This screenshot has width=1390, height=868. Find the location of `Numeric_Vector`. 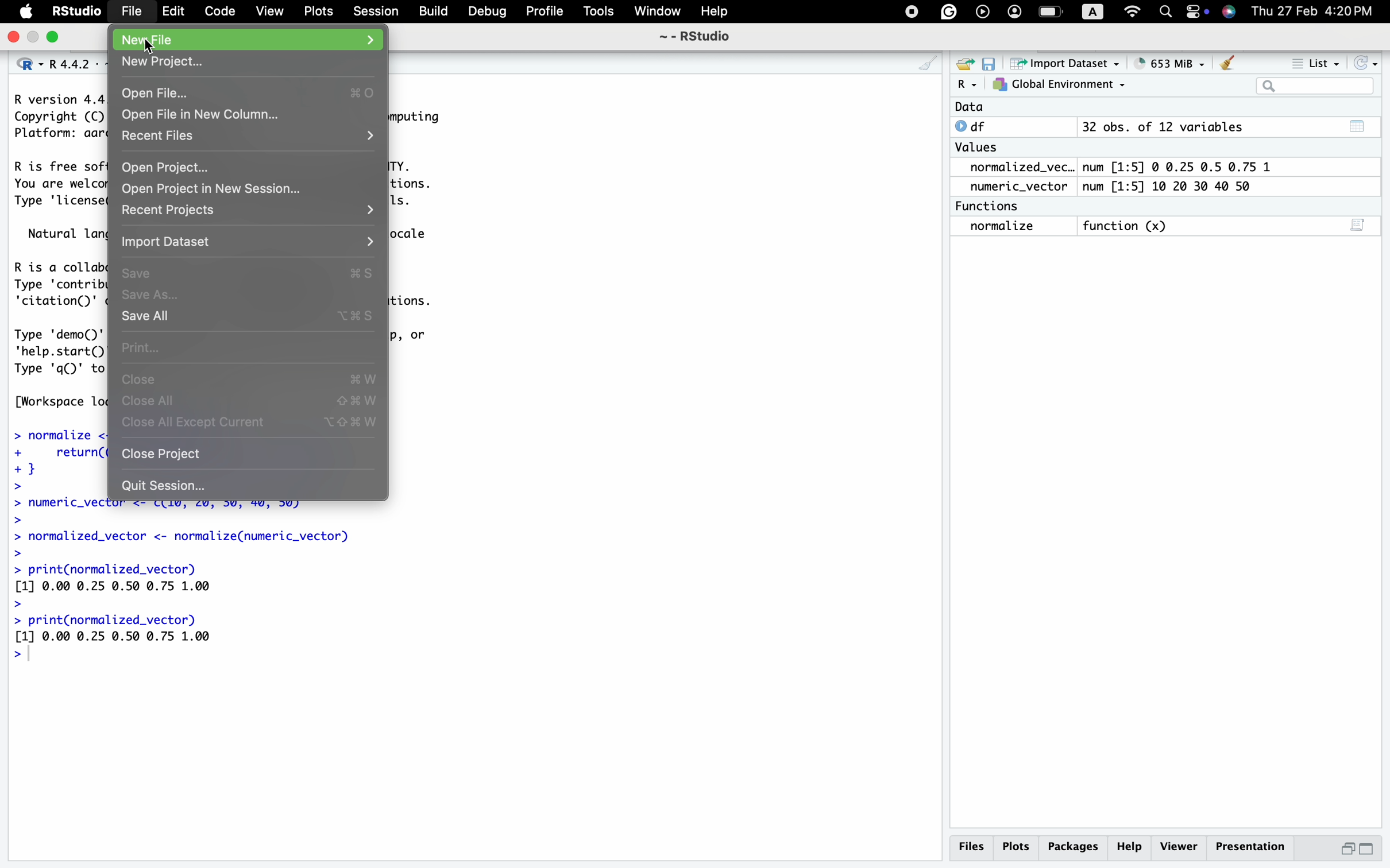

Numeric_Vector is located at coordinates (1014, 187).